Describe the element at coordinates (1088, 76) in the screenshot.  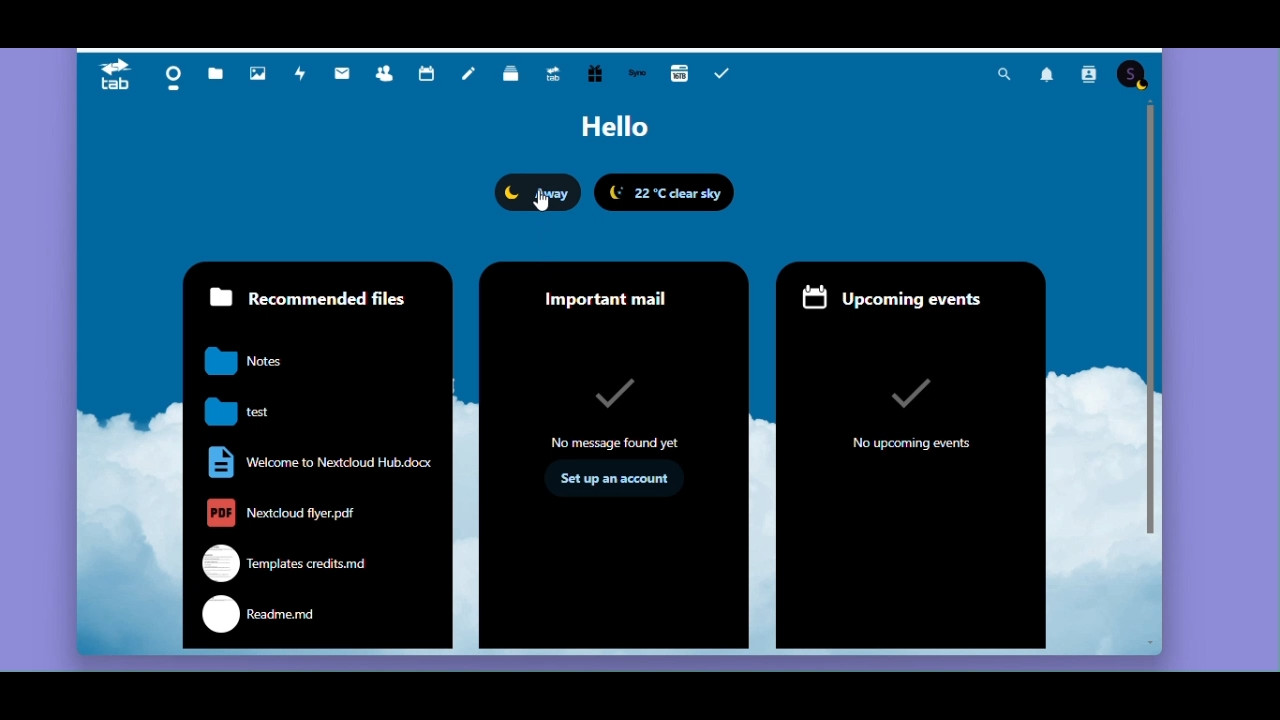
I see `Contact search` at that location.